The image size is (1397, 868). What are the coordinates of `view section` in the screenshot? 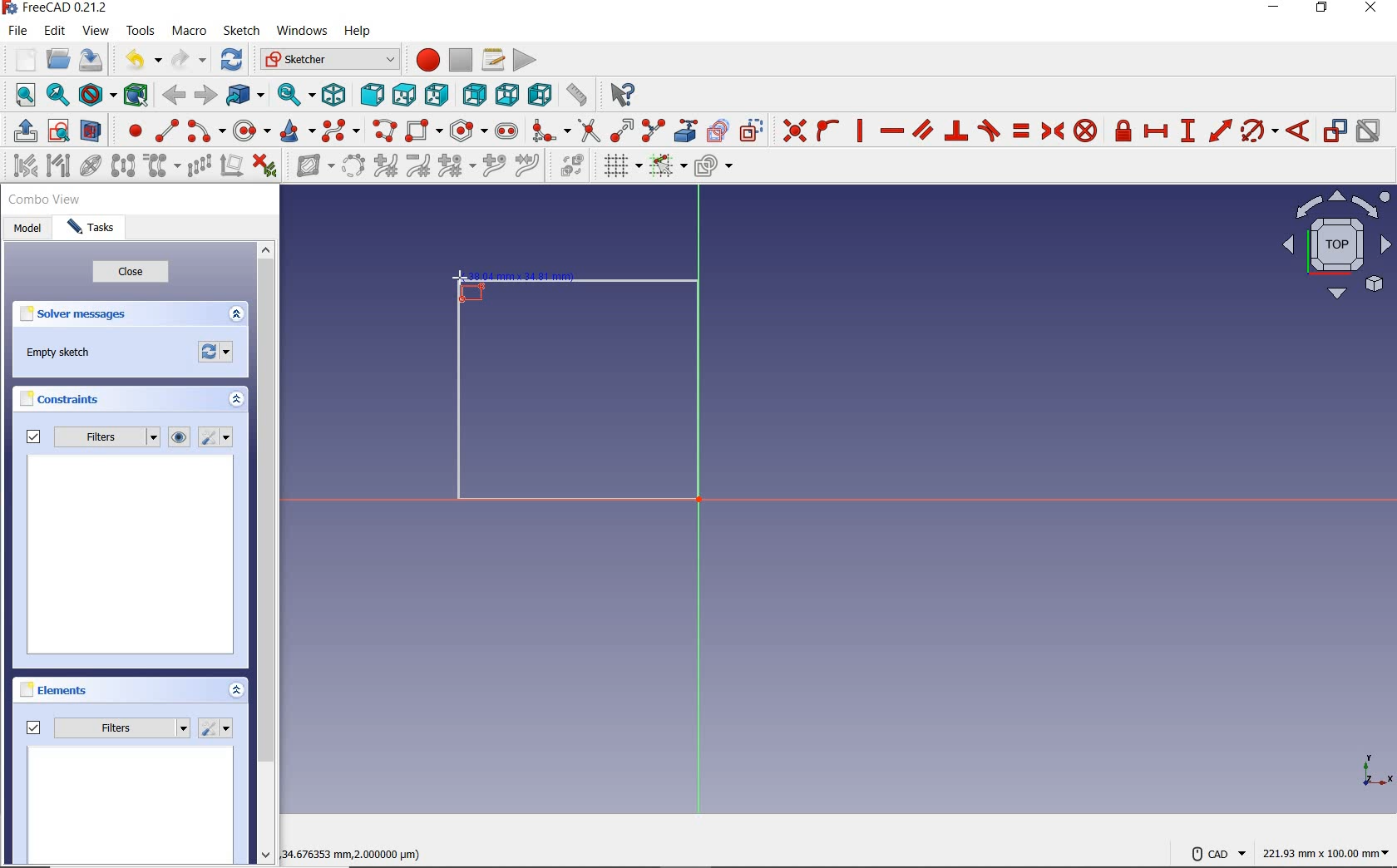 It's located at (94, 131).